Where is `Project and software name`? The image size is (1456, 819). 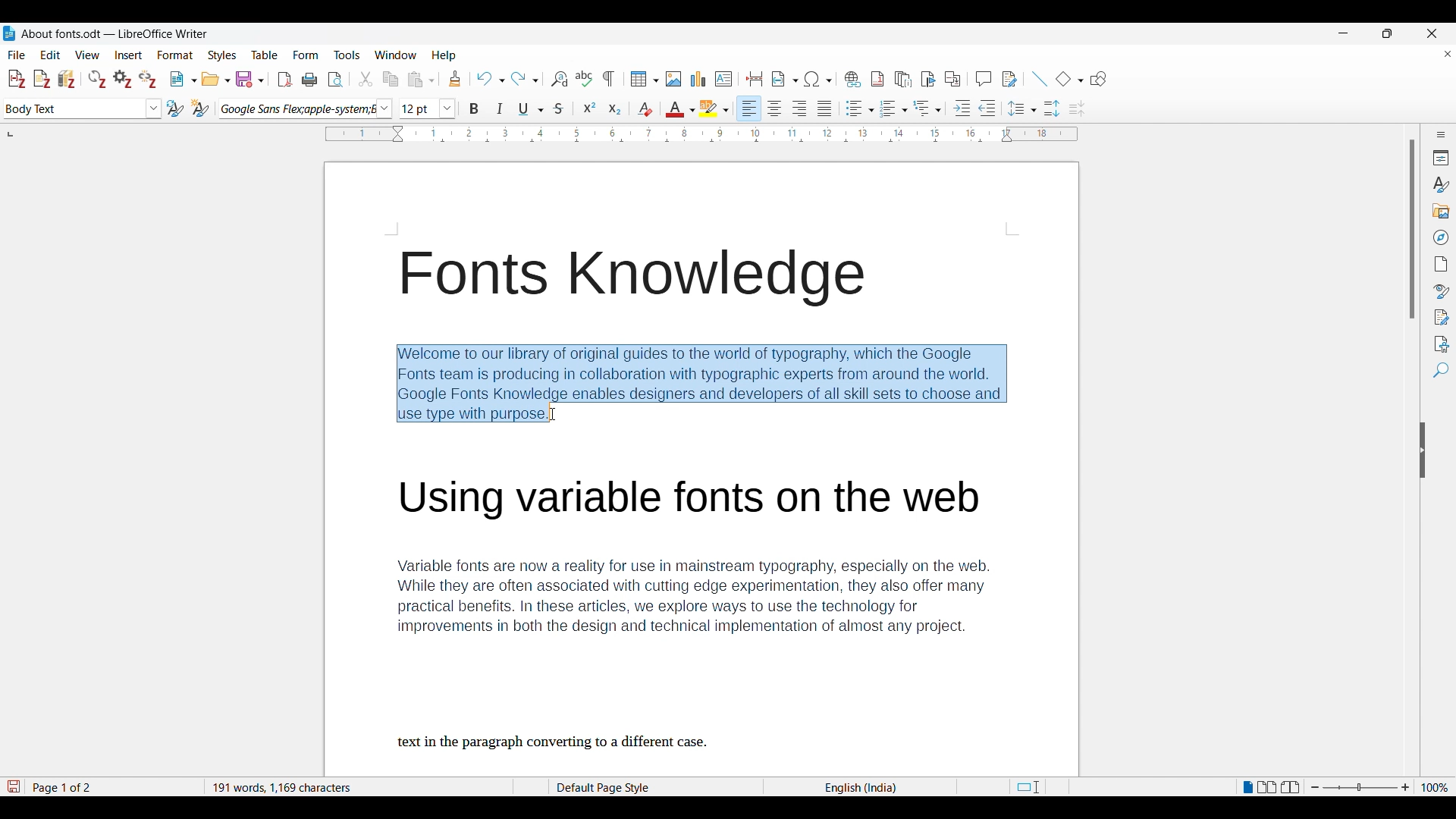 Project and software name is located at coordinates (115, 34).